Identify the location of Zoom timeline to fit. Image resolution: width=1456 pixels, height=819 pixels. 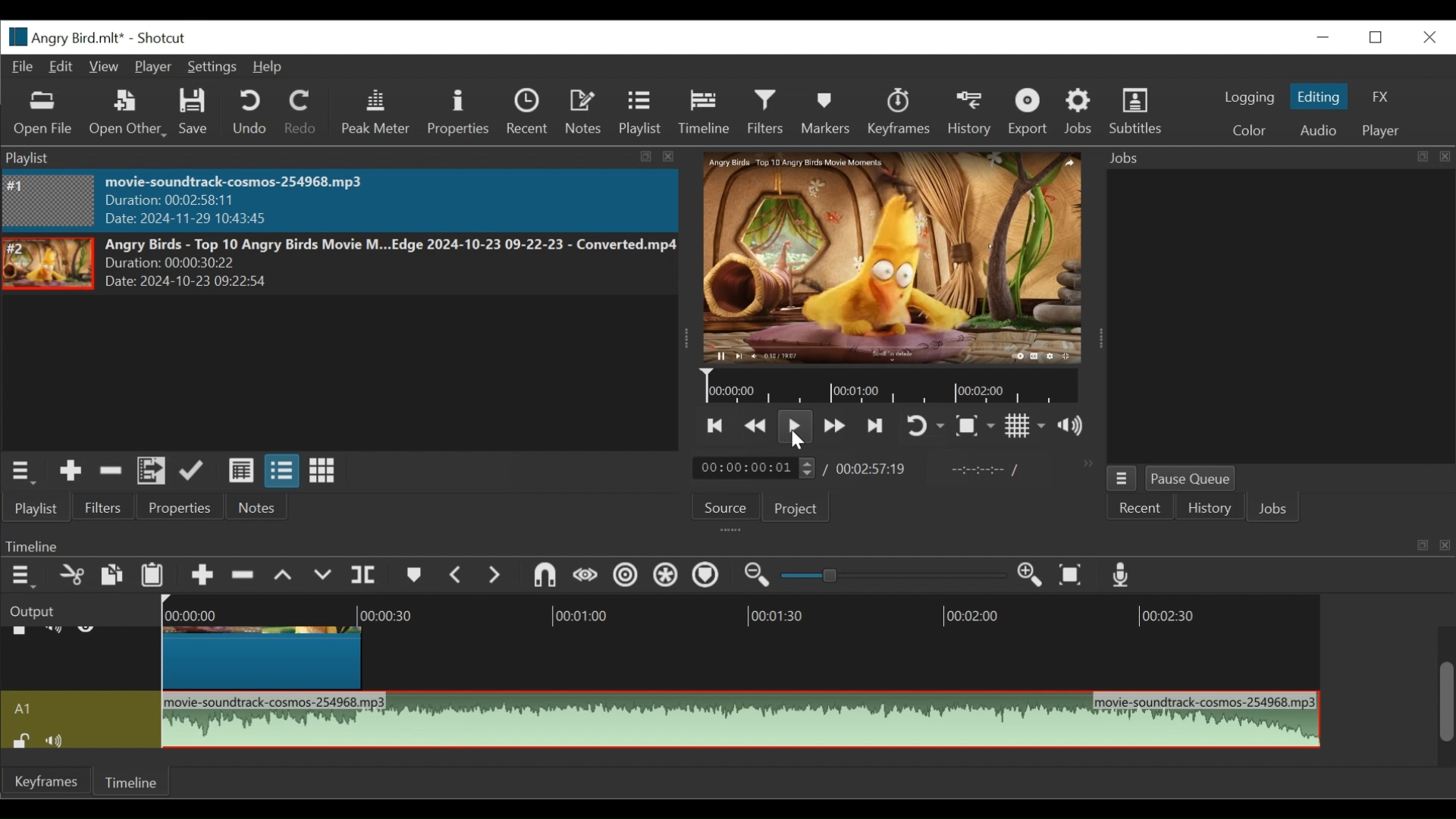
(1073, 575).